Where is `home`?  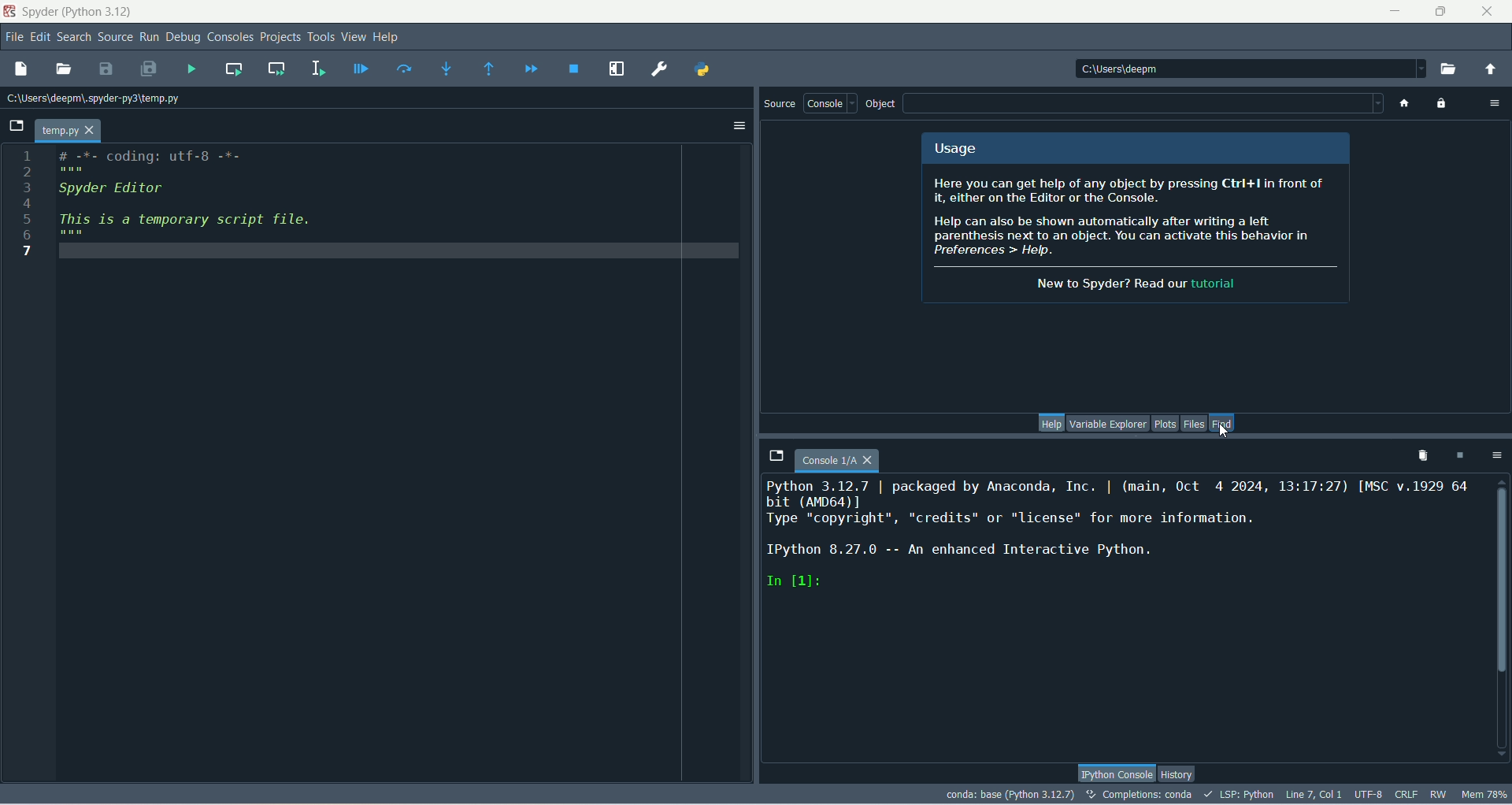
home is located at coordinates (1401, 103).